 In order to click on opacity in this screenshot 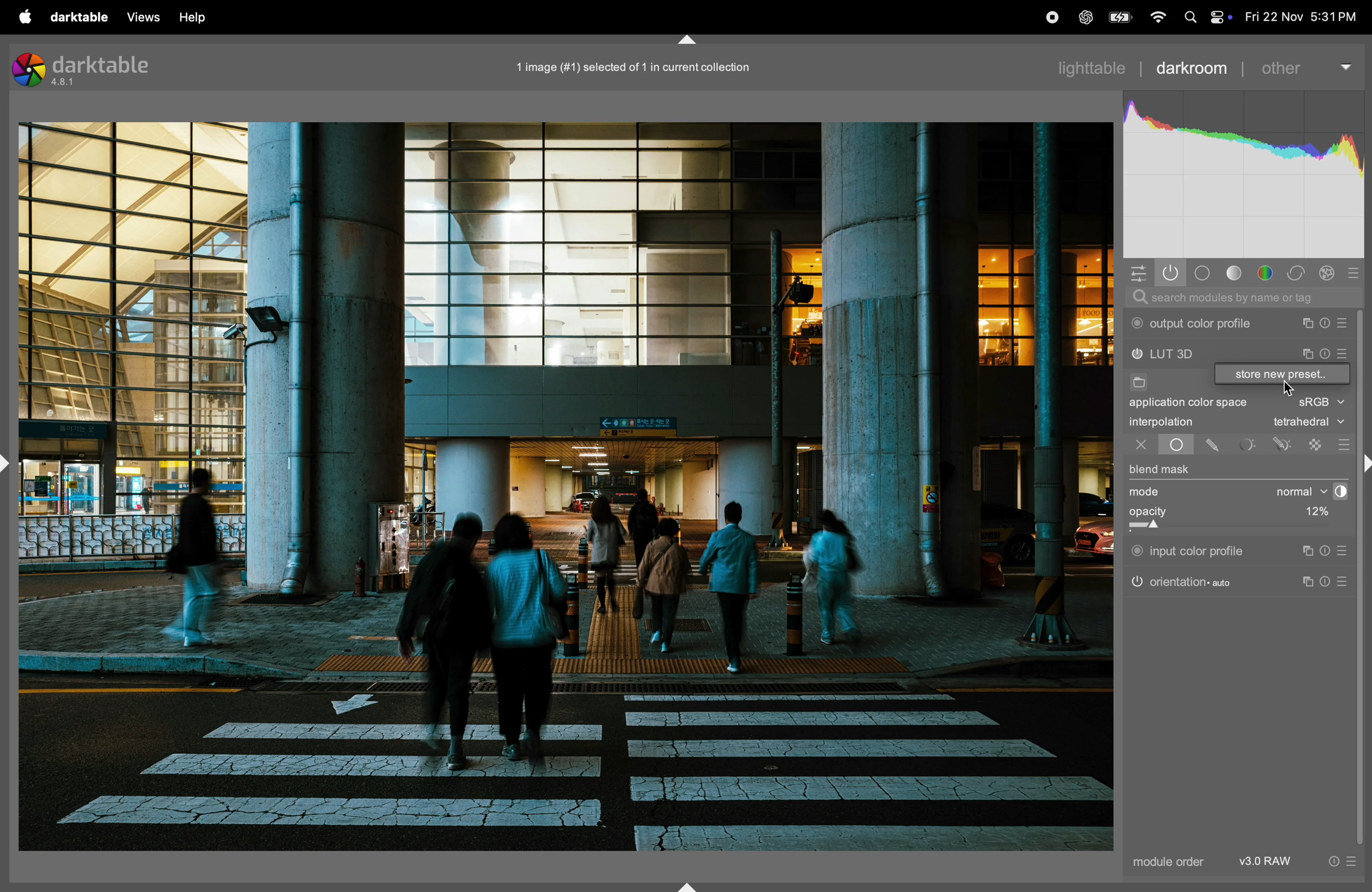, I will do `click(1203, 516)`.